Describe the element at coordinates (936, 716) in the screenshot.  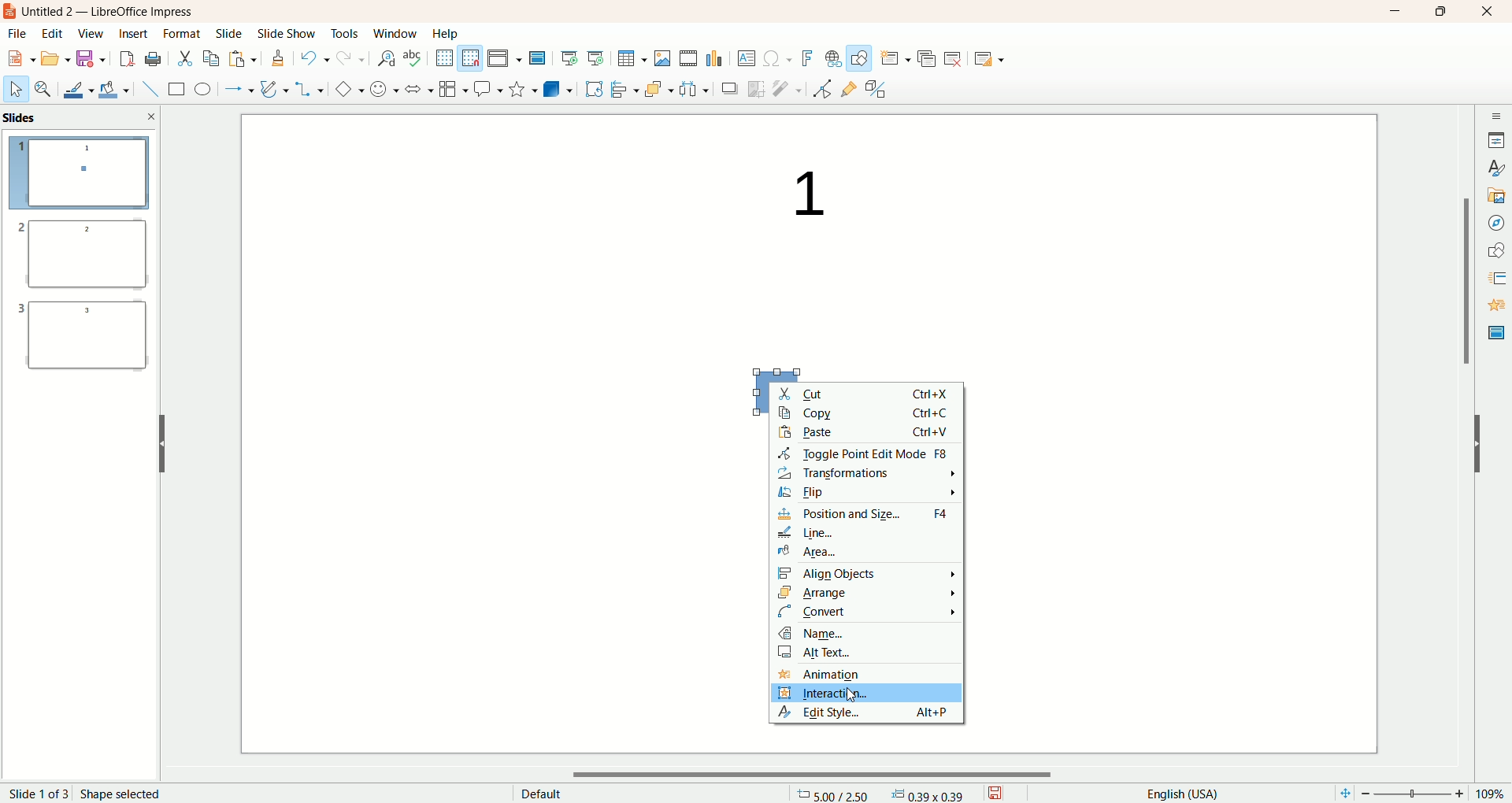
I see `alt+p` at that location.